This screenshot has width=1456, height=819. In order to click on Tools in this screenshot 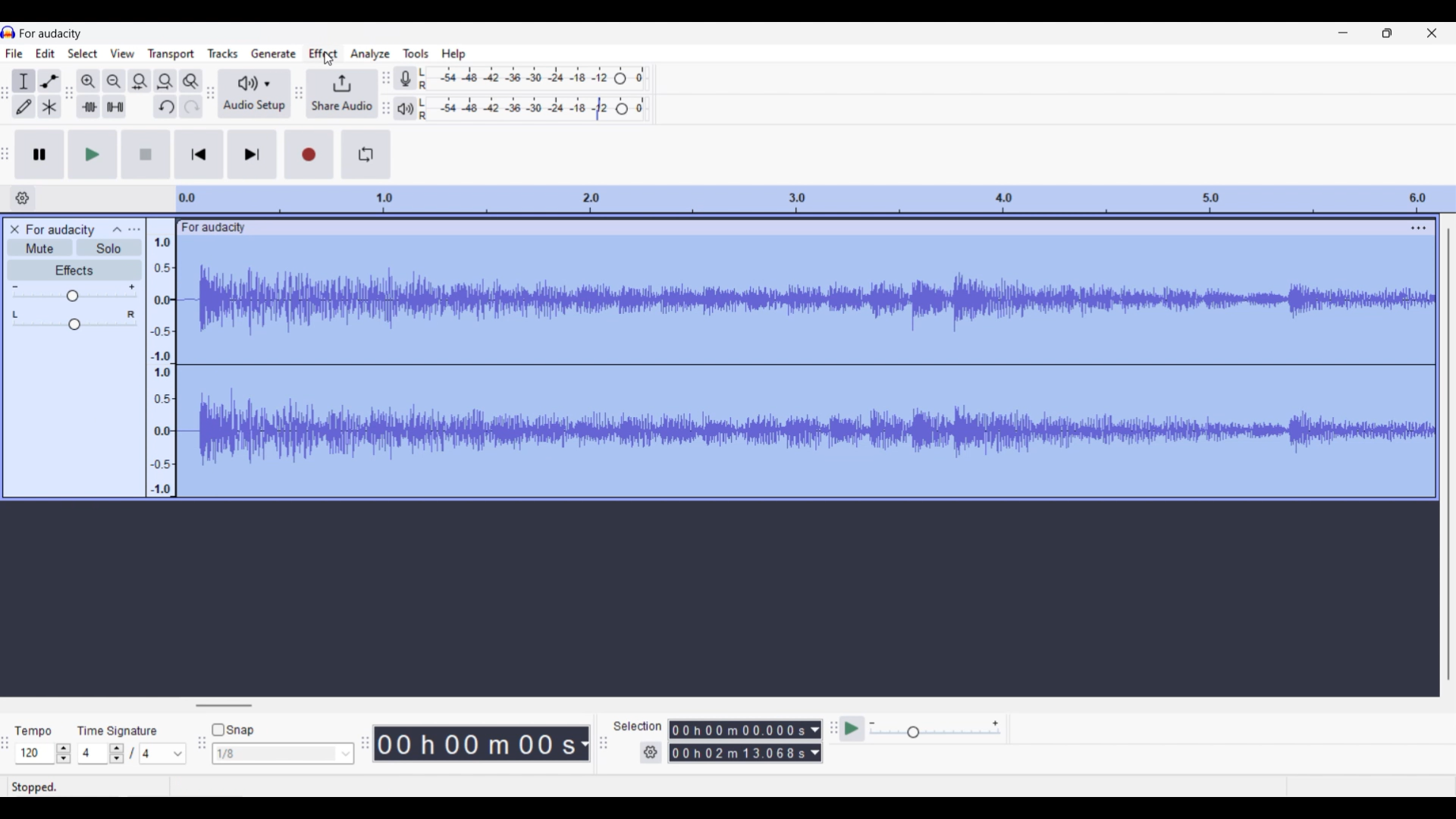, I will do `click(416, 52)`.